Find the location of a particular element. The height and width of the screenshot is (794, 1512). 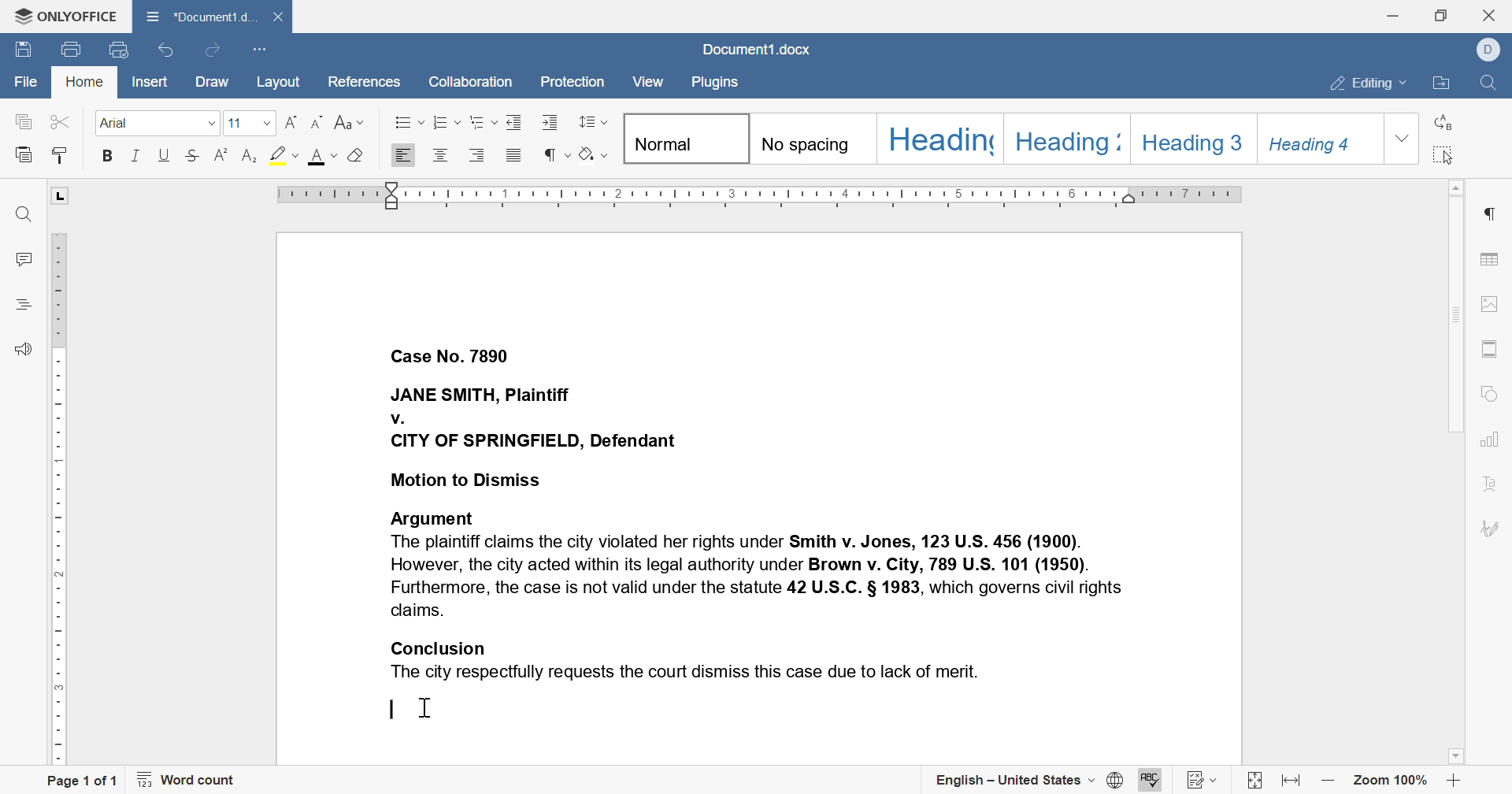

ruler is located at coordinates (60, 500).